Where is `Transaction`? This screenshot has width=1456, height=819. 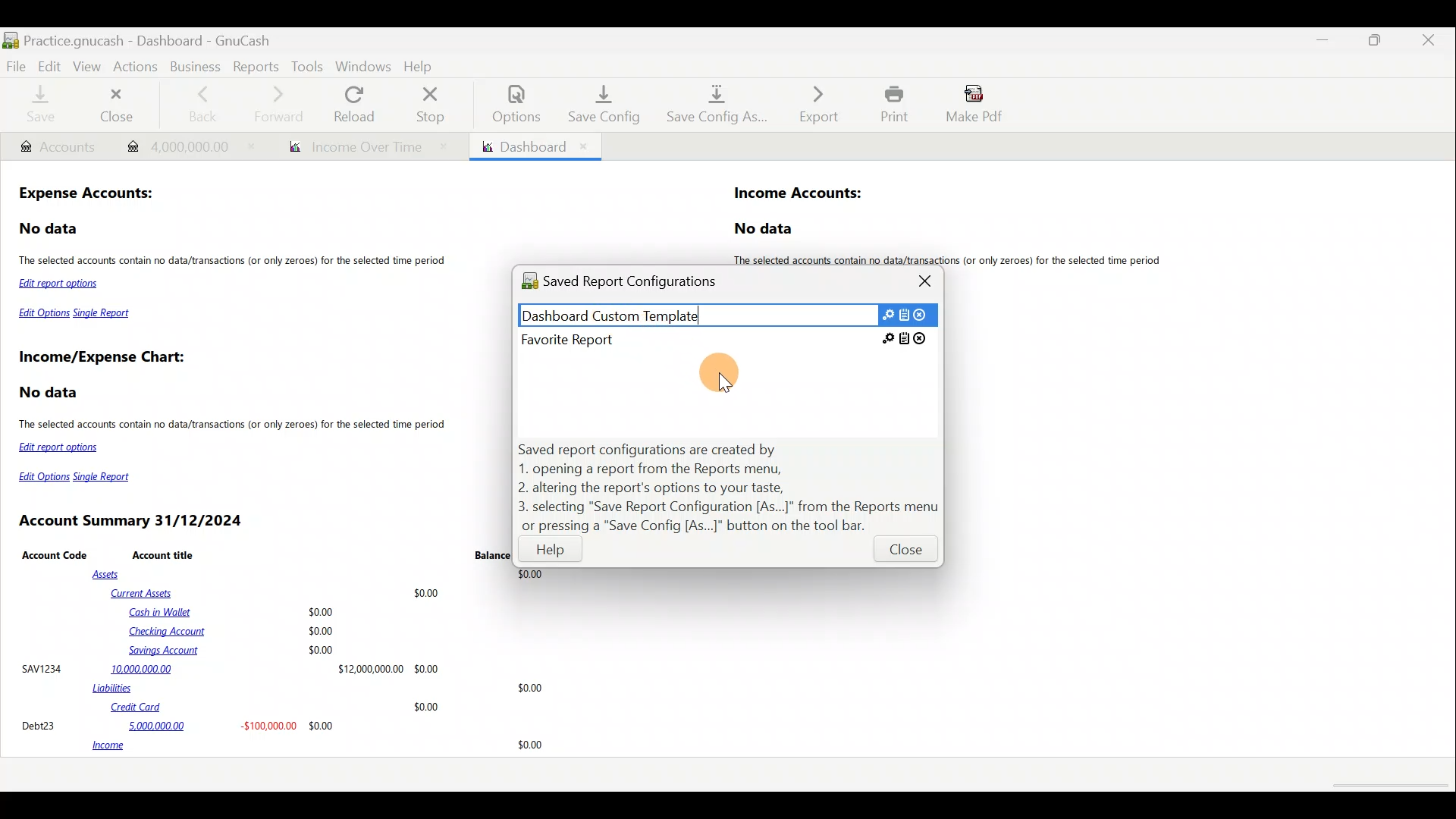
Transaction is located at coordinates (184, 145).